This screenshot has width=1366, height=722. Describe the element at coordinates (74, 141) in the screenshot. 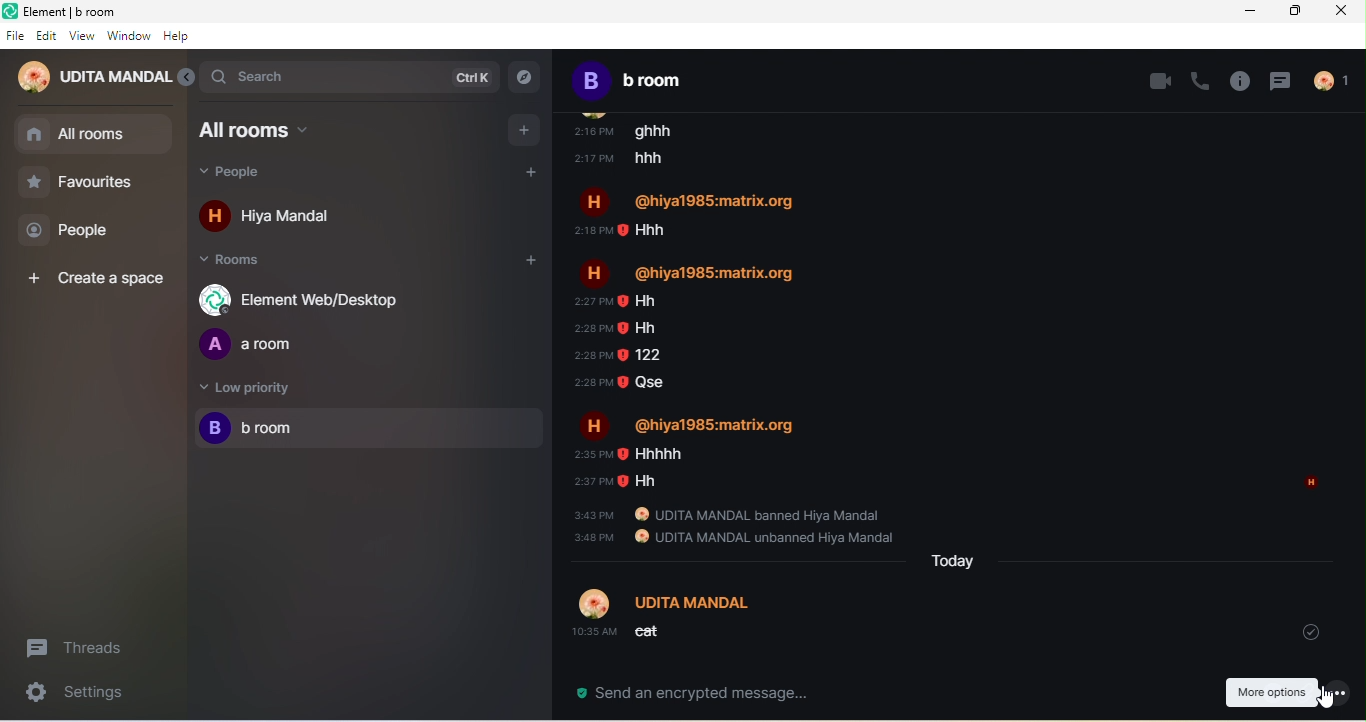

I see `all rooms` at that location.